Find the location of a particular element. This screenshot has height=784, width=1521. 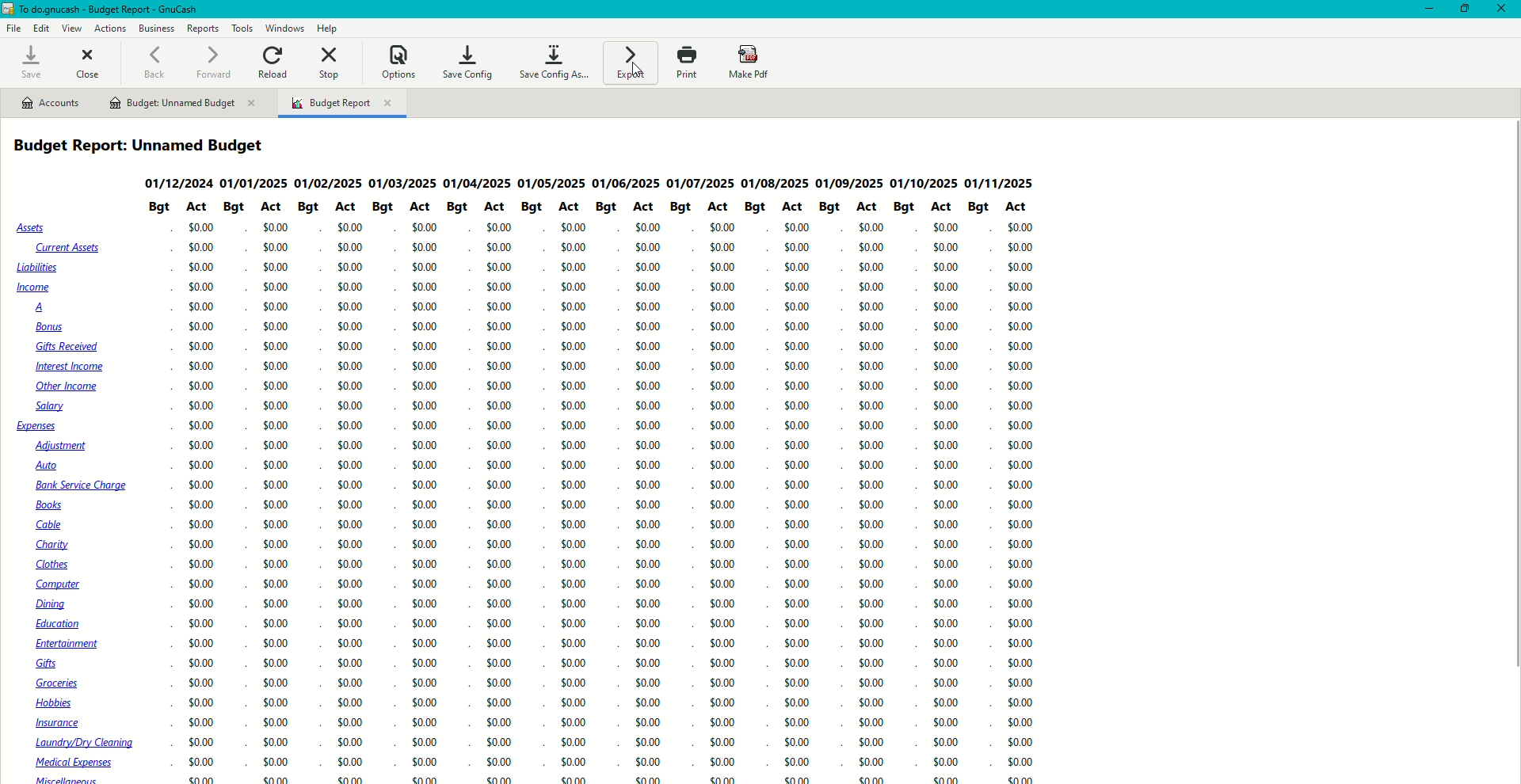

$0.00 is located at coordinates (578, 268).